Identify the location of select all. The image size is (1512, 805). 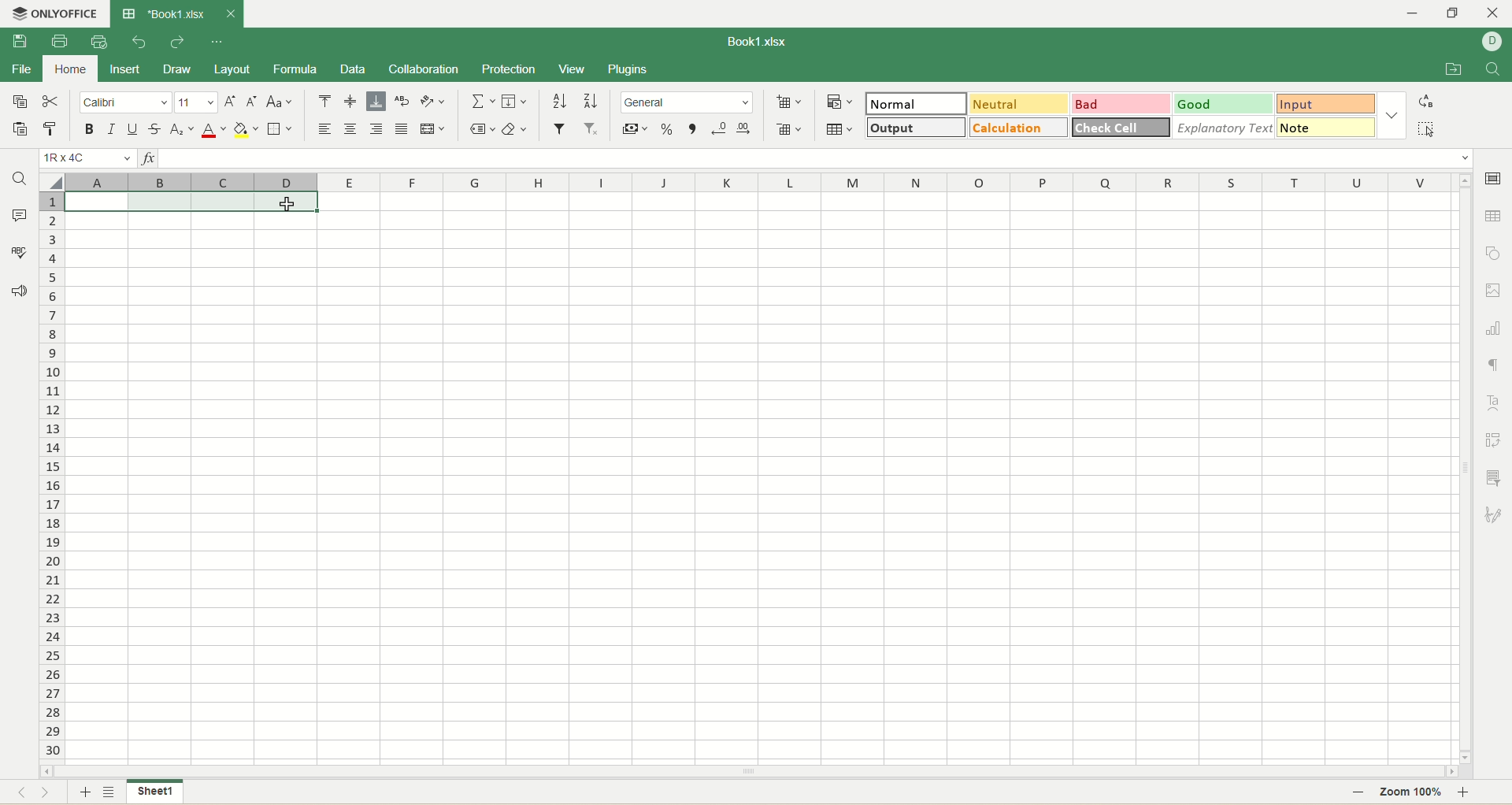
(53, 180).